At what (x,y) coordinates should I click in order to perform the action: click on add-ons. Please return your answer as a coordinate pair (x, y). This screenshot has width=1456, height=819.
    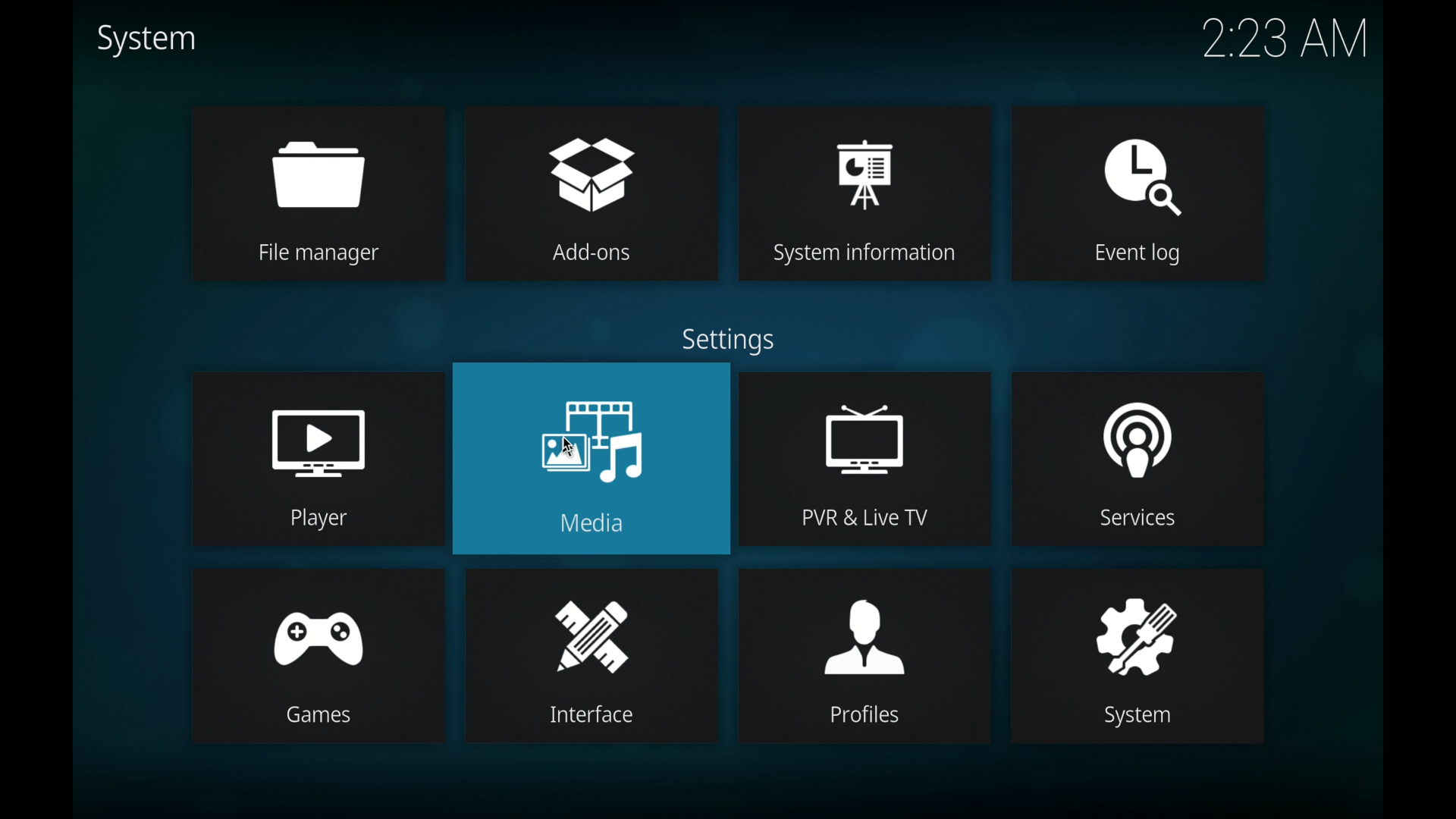
    Looking at the image, I should click on (596, 156).